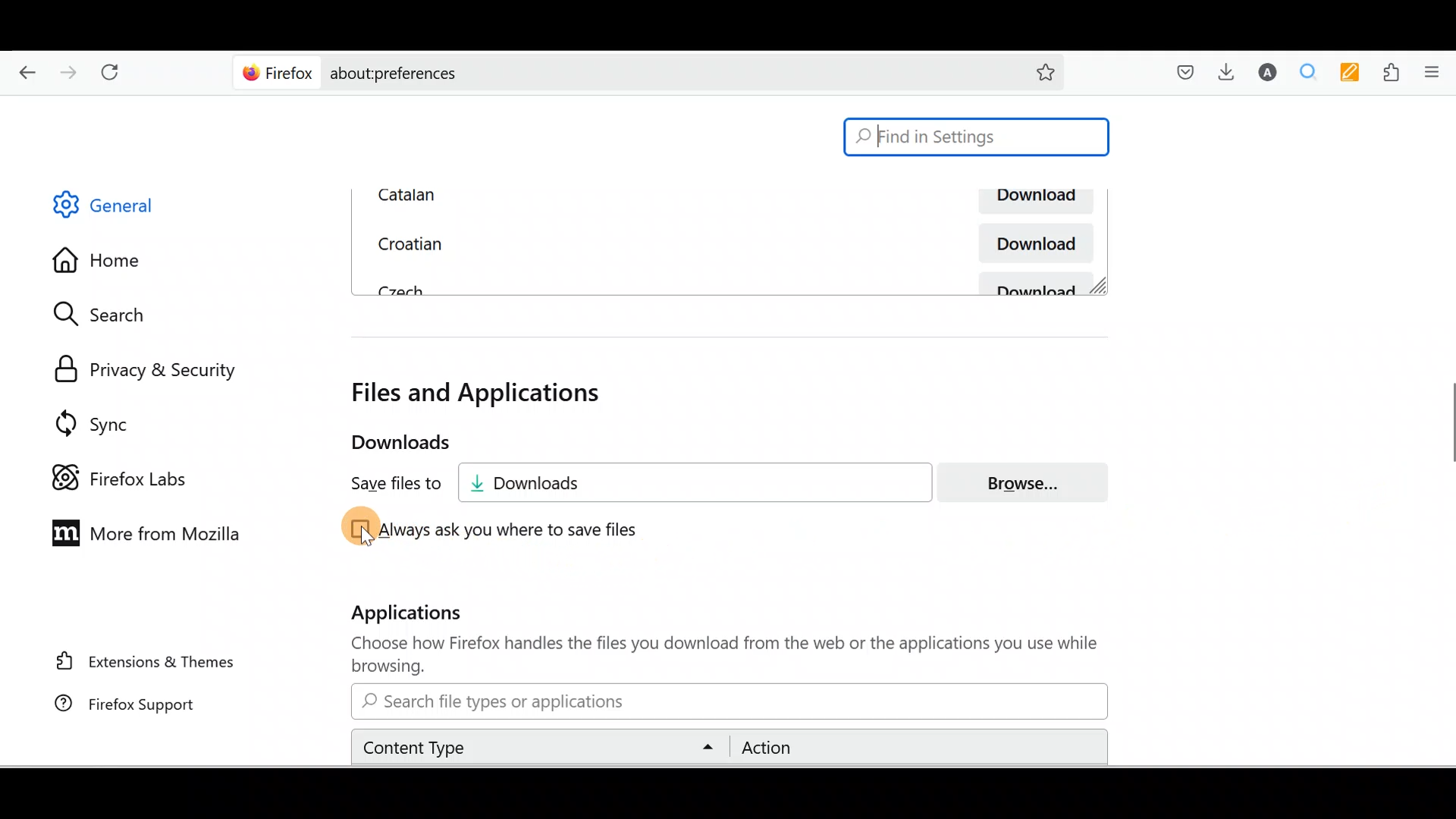 The width and height of the screenshot is (1456, 819). Describe the element at coordinates (1354, 73) in the screenshot. I see `Multi keywords highlighter` at that location.